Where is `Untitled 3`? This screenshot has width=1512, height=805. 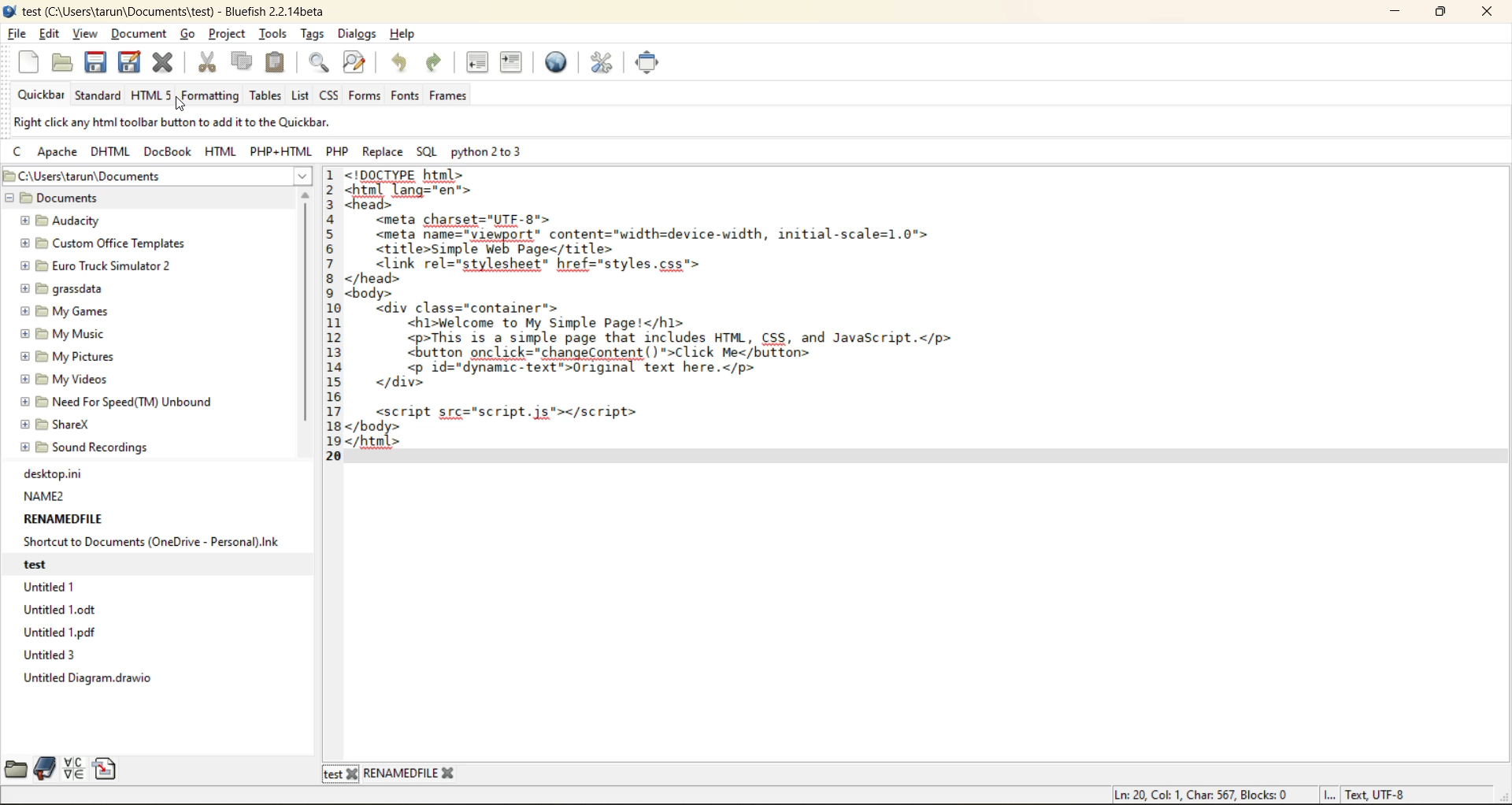
Untitled 3 is located at coordinates (61, 655).